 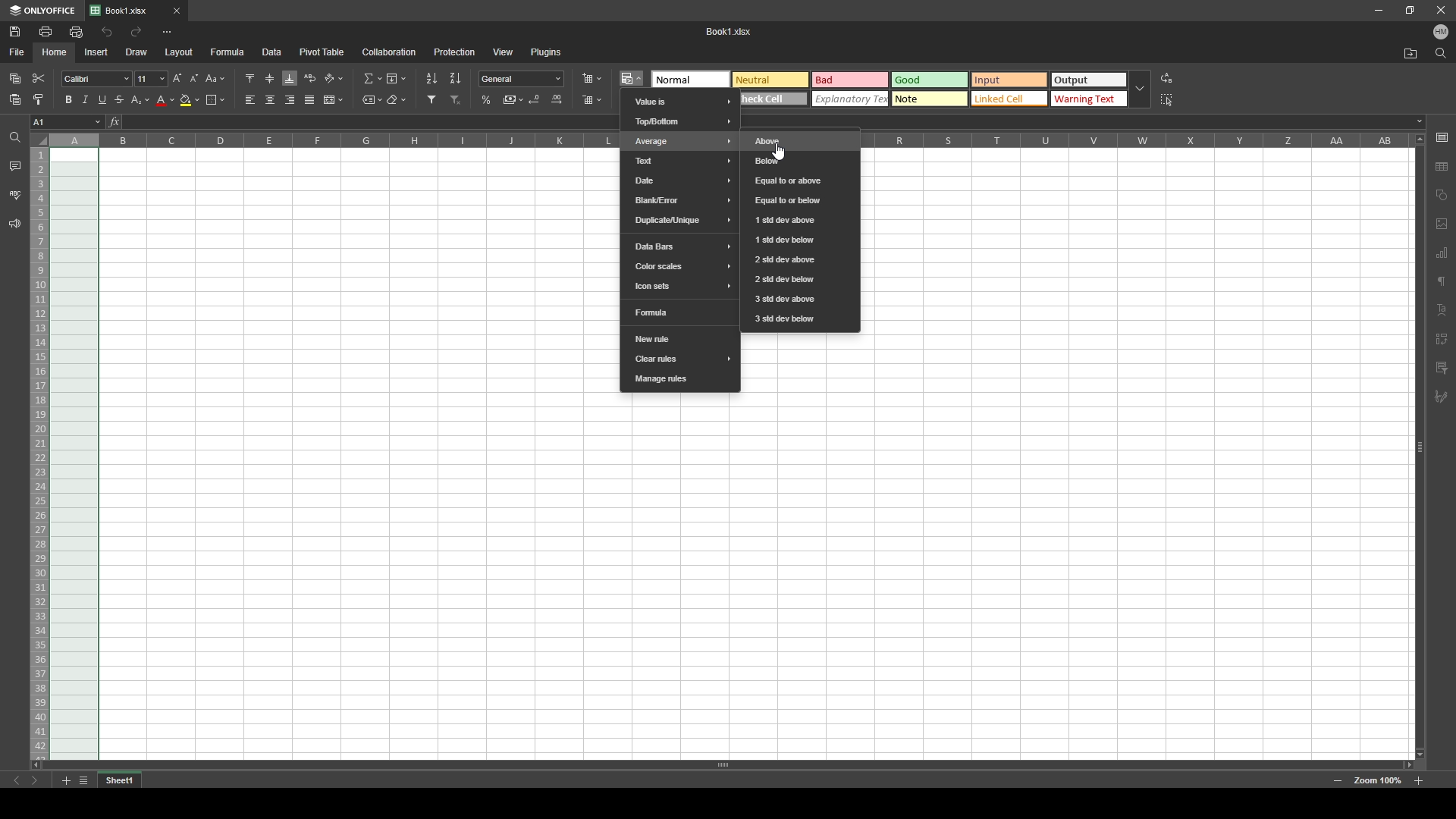 I want to click on open file location, so click(x=1411, y=55).